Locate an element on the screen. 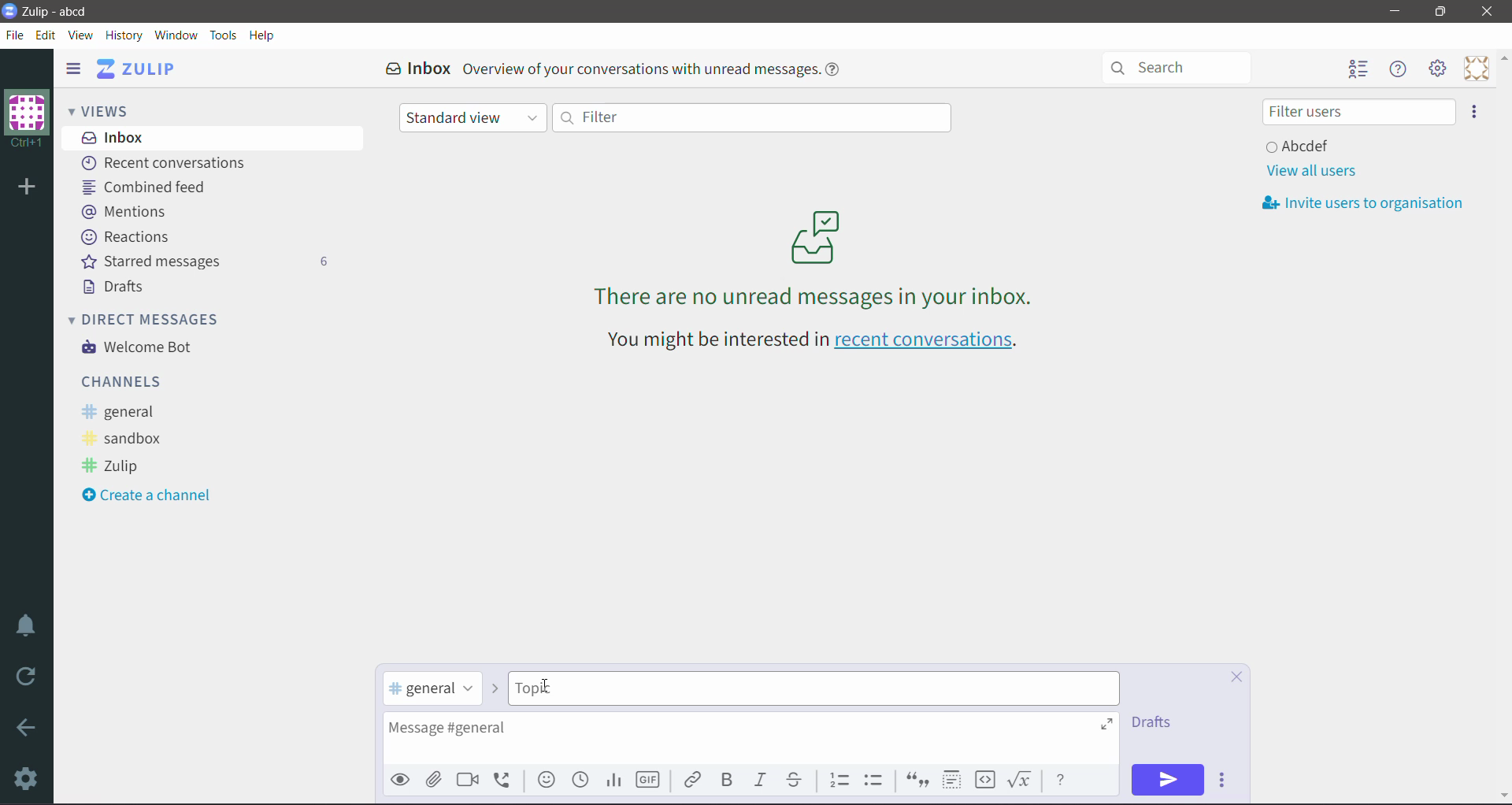 This screenshot has width=1512, height=805. Reactions is located at coordinates (128, 237).